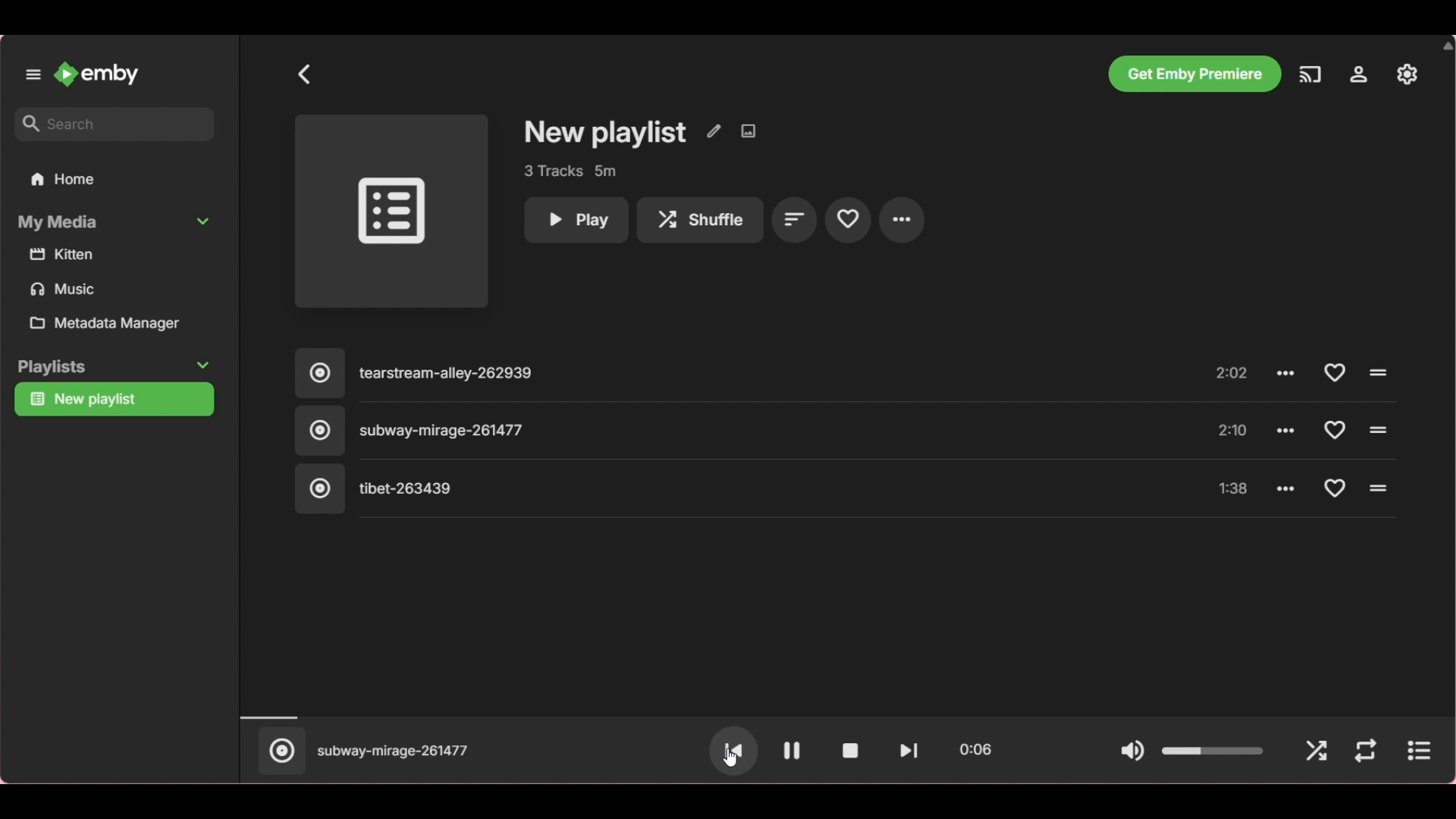  What do you see at coordinates (1132, 752) in the screenshot?
I see `Mute` at bounding box center [1132, 752].